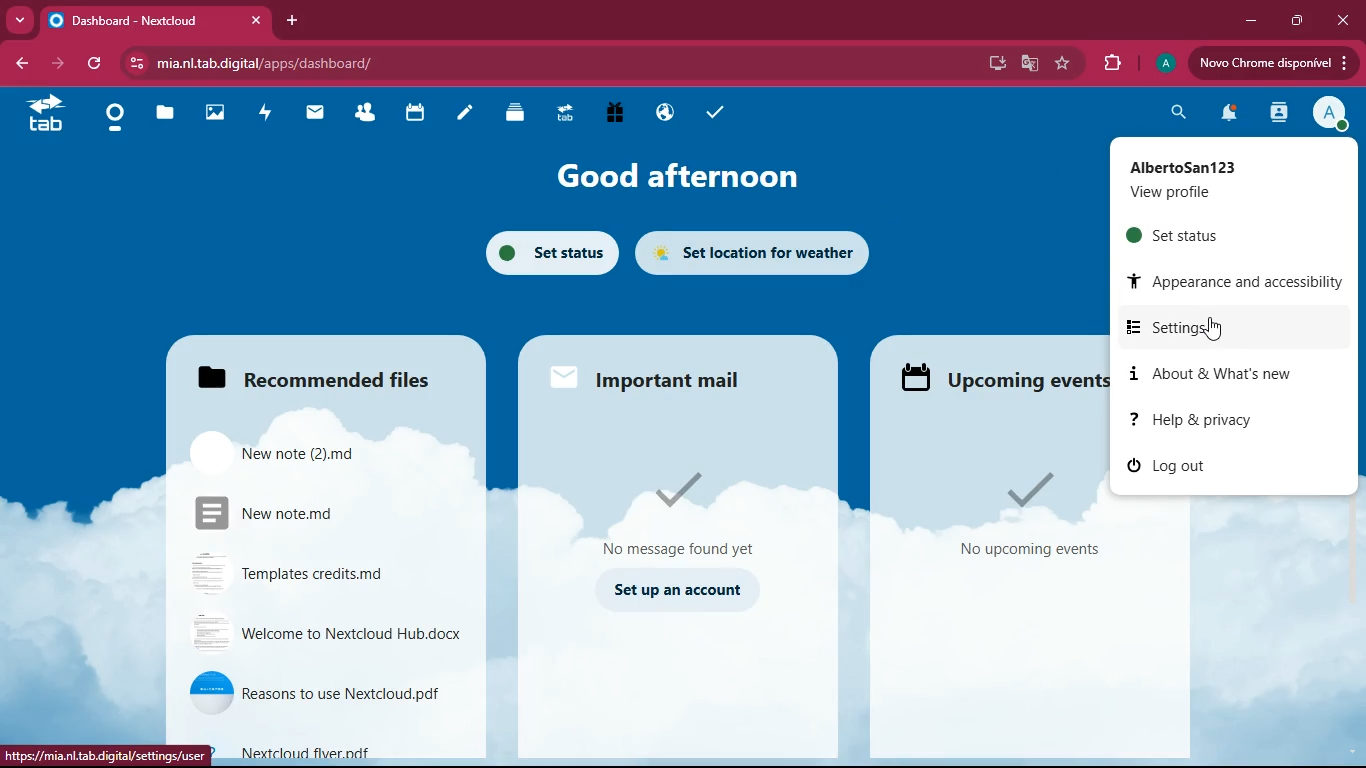 This screenshot has height=768, width=1366. What do you see at coordinates (1230, 179) in the screenshot?
I see `profile` at bounding box center [1230, 179].